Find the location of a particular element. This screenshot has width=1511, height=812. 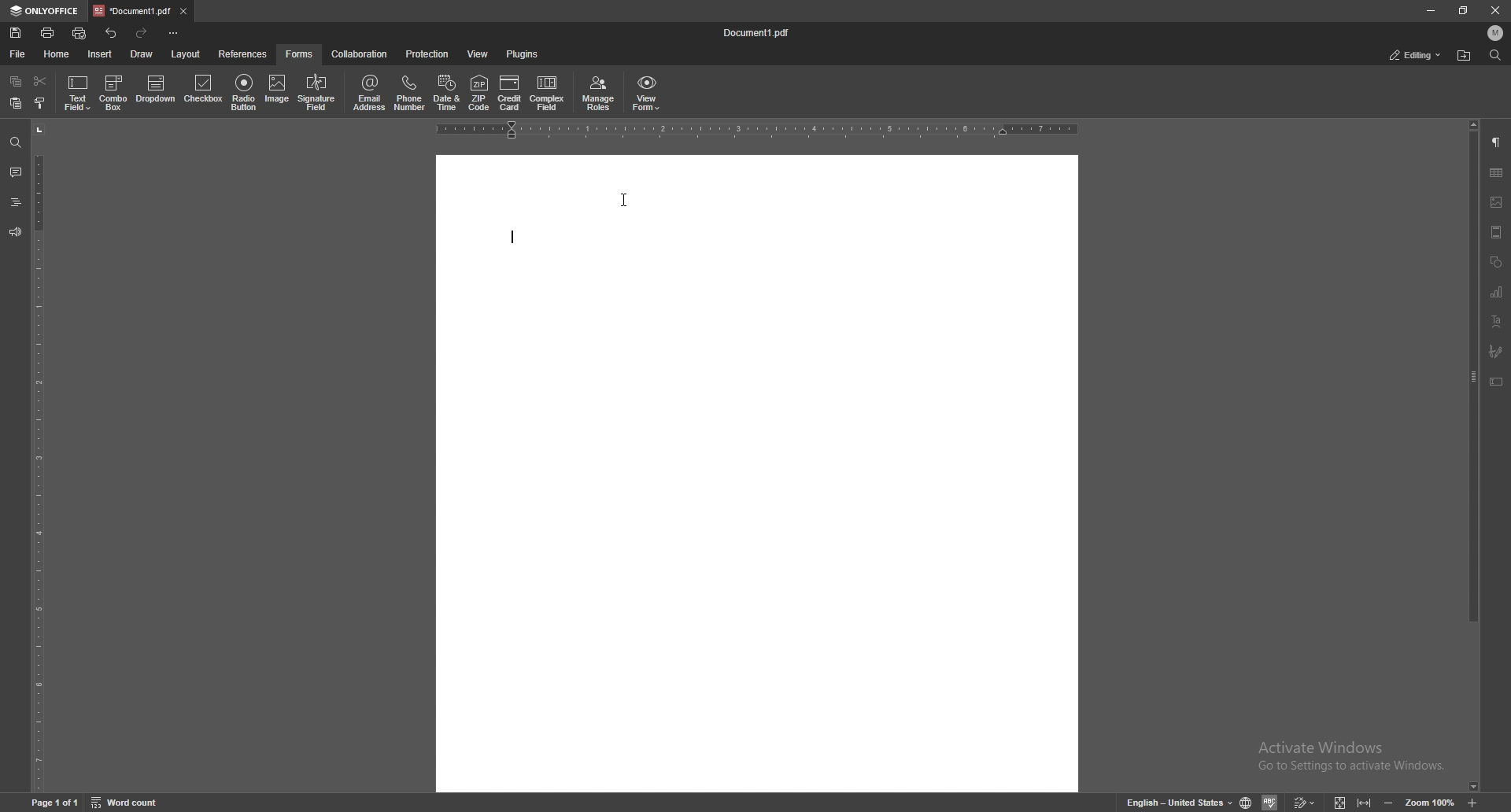

status is located at coordinates (1417, 56).